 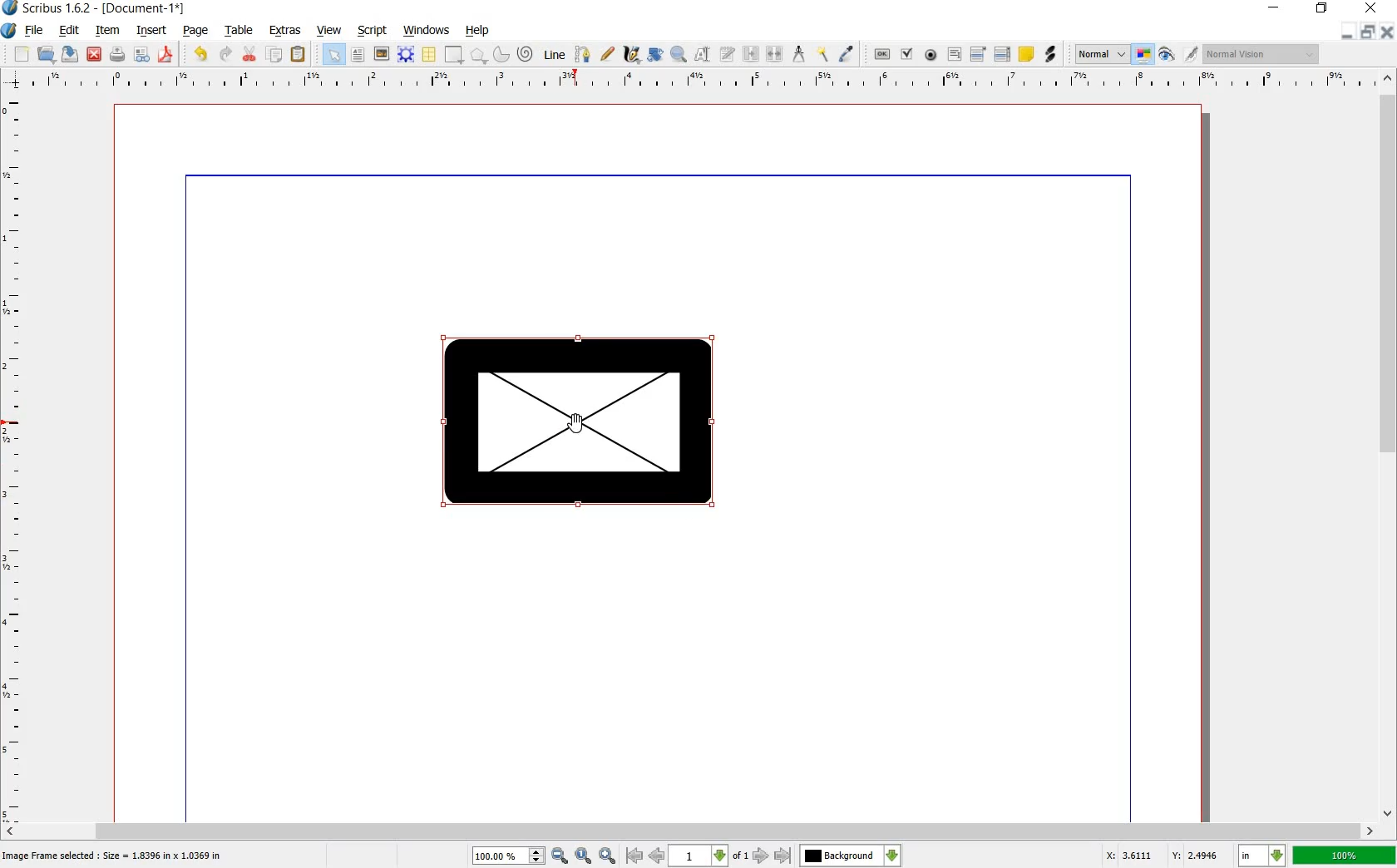 What do you see at coordinates (1119, 855) in the screenshot?
I see `coordinates x: 3.4729` at bounding box center [1119, 855].